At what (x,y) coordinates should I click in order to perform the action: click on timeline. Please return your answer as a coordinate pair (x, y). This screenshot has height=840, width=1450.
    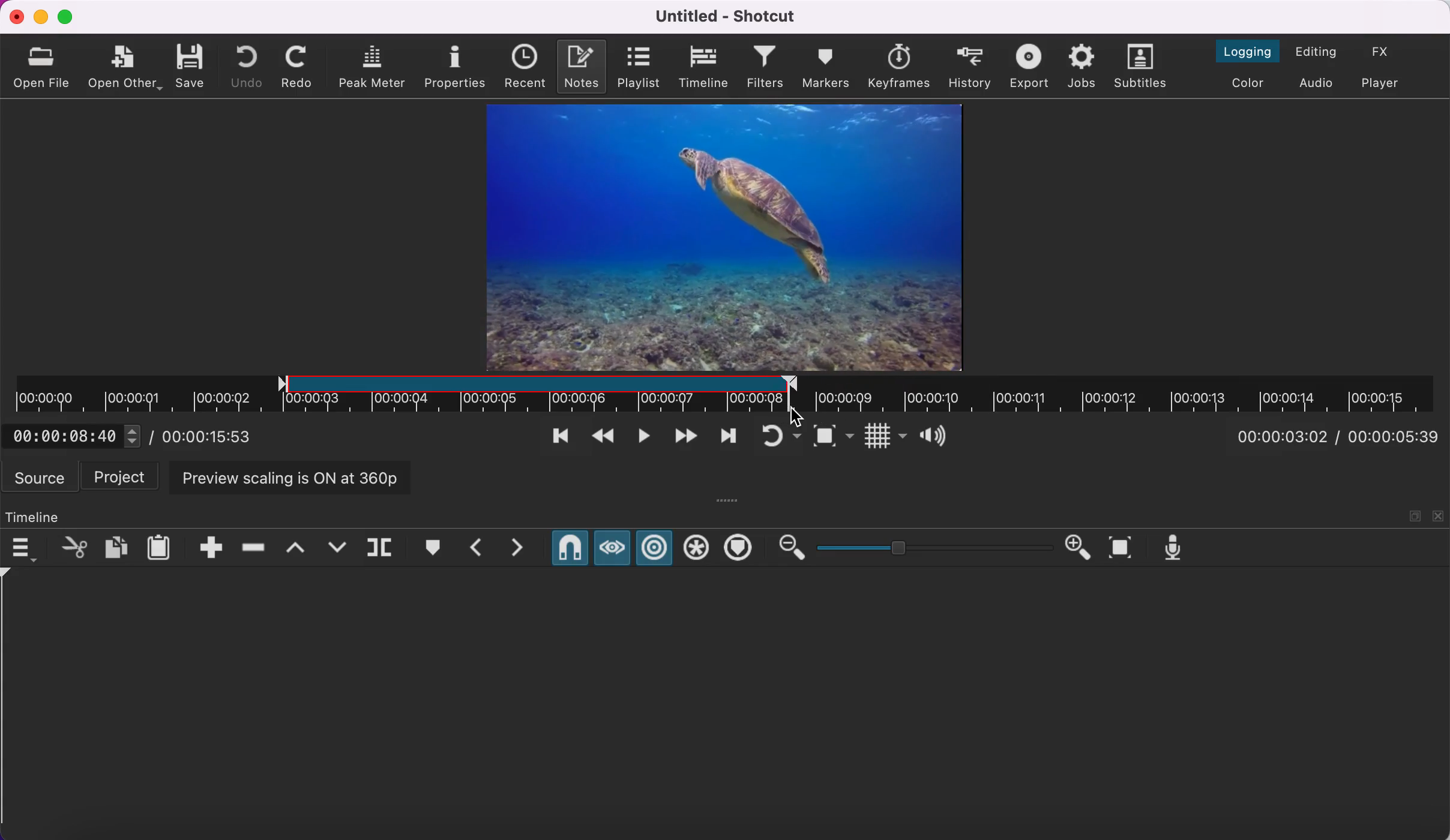
    Looking at the image, I should click on (703, 67).